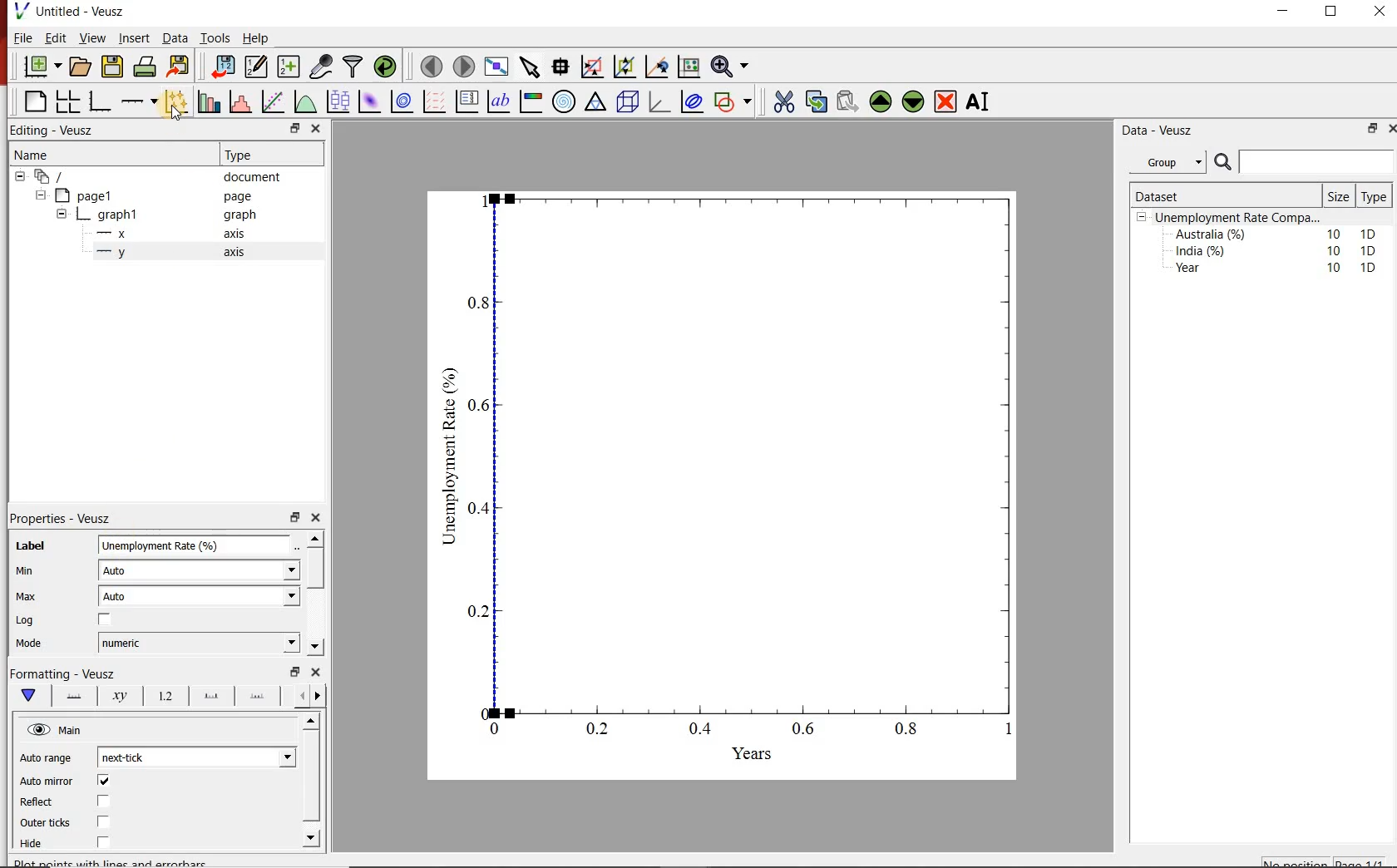  Describe the element at coordinates (562, 66) in the screenshot. I see `read the data points` at that location.